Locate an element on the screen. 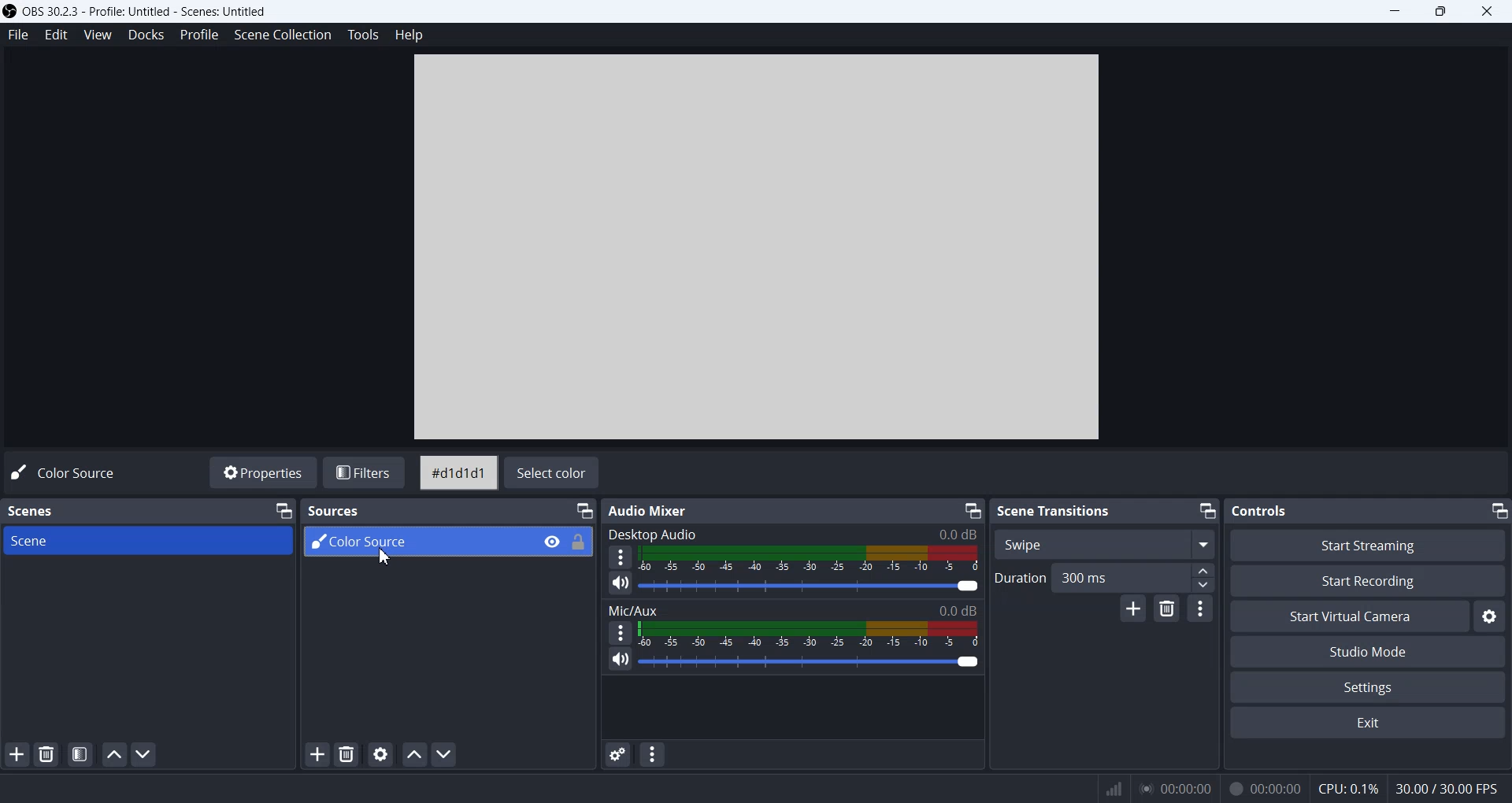 The width and height of the screenshot is (1512, 803). Mute/ Unmute is located at coordinates (621, 584).